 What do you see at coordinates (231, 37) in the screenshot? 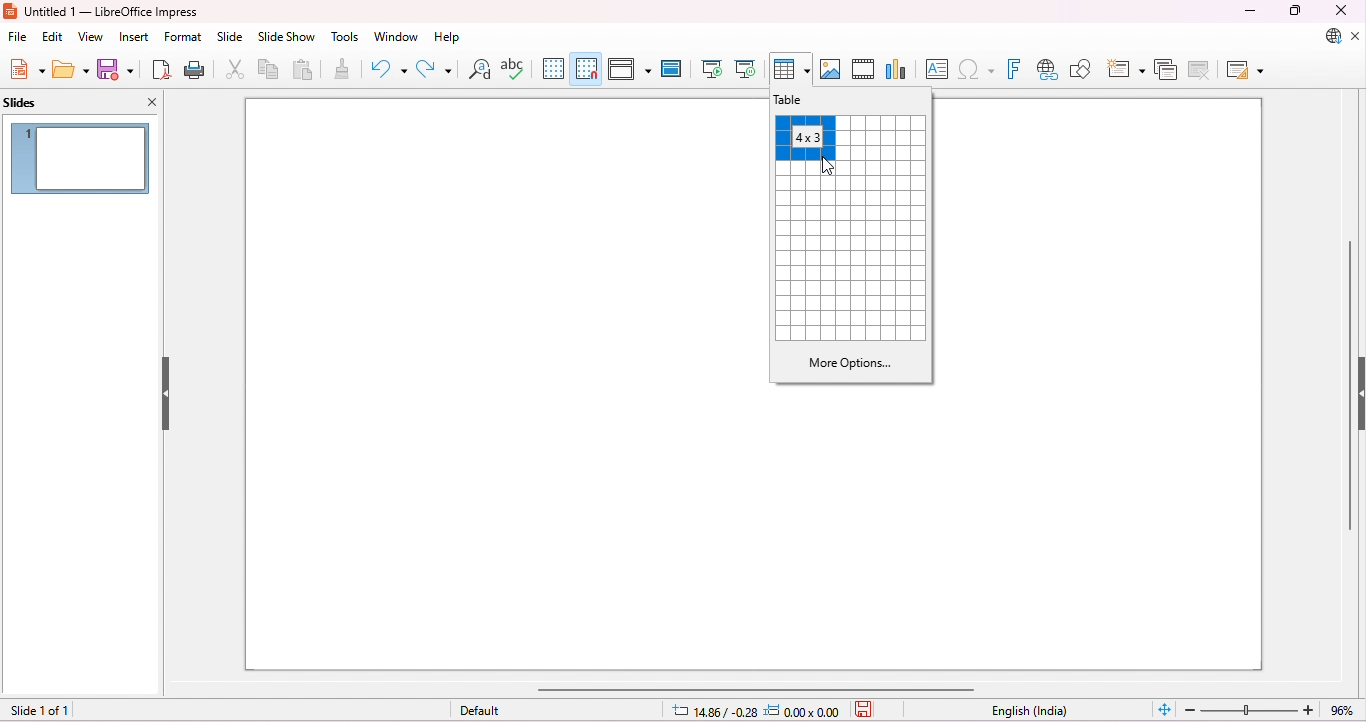
I see `slide` at bounding box center [231, 37].